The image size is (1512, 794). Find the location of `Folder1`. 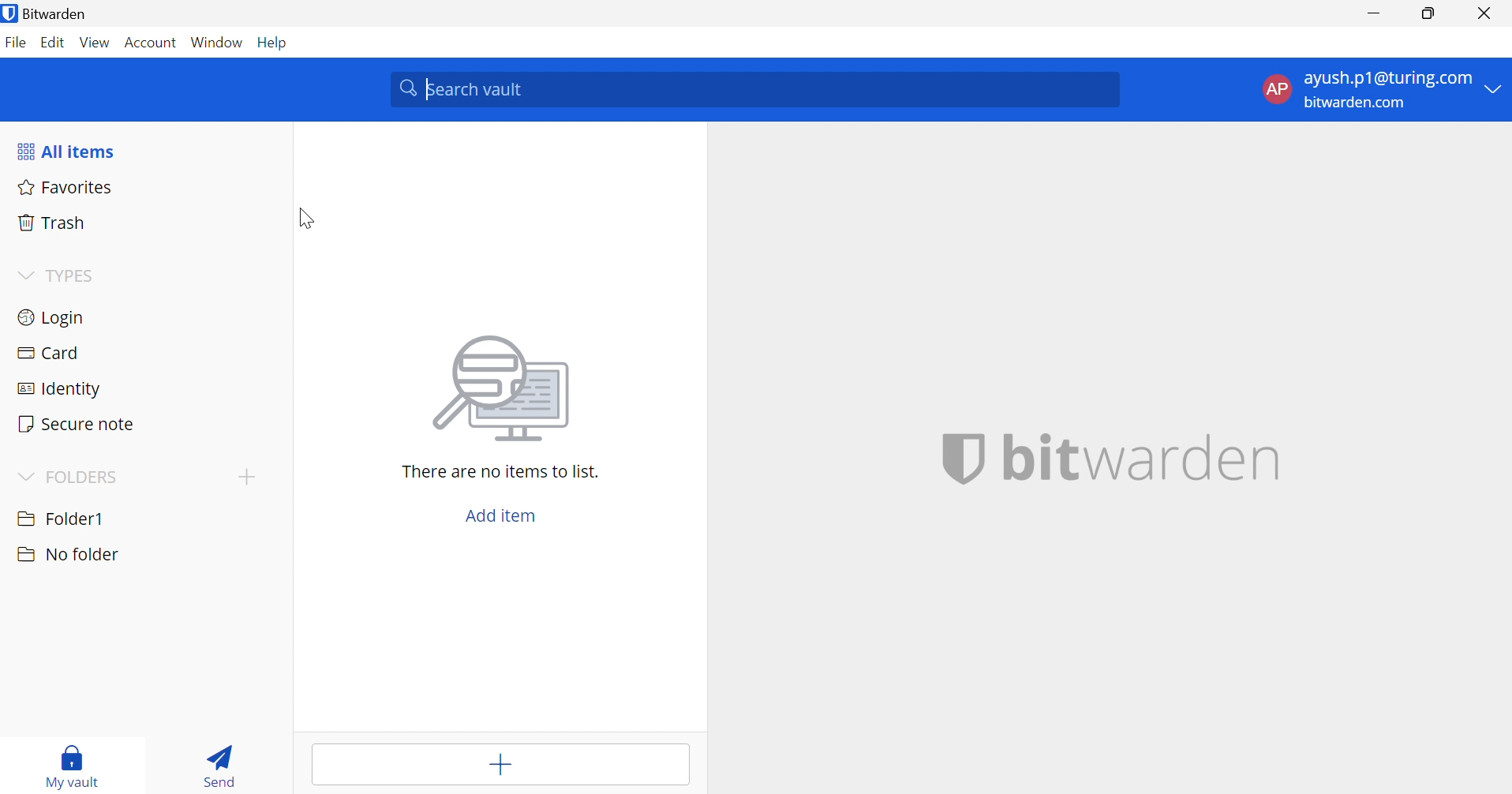

Folder1 is located at coordinates (60, 519).